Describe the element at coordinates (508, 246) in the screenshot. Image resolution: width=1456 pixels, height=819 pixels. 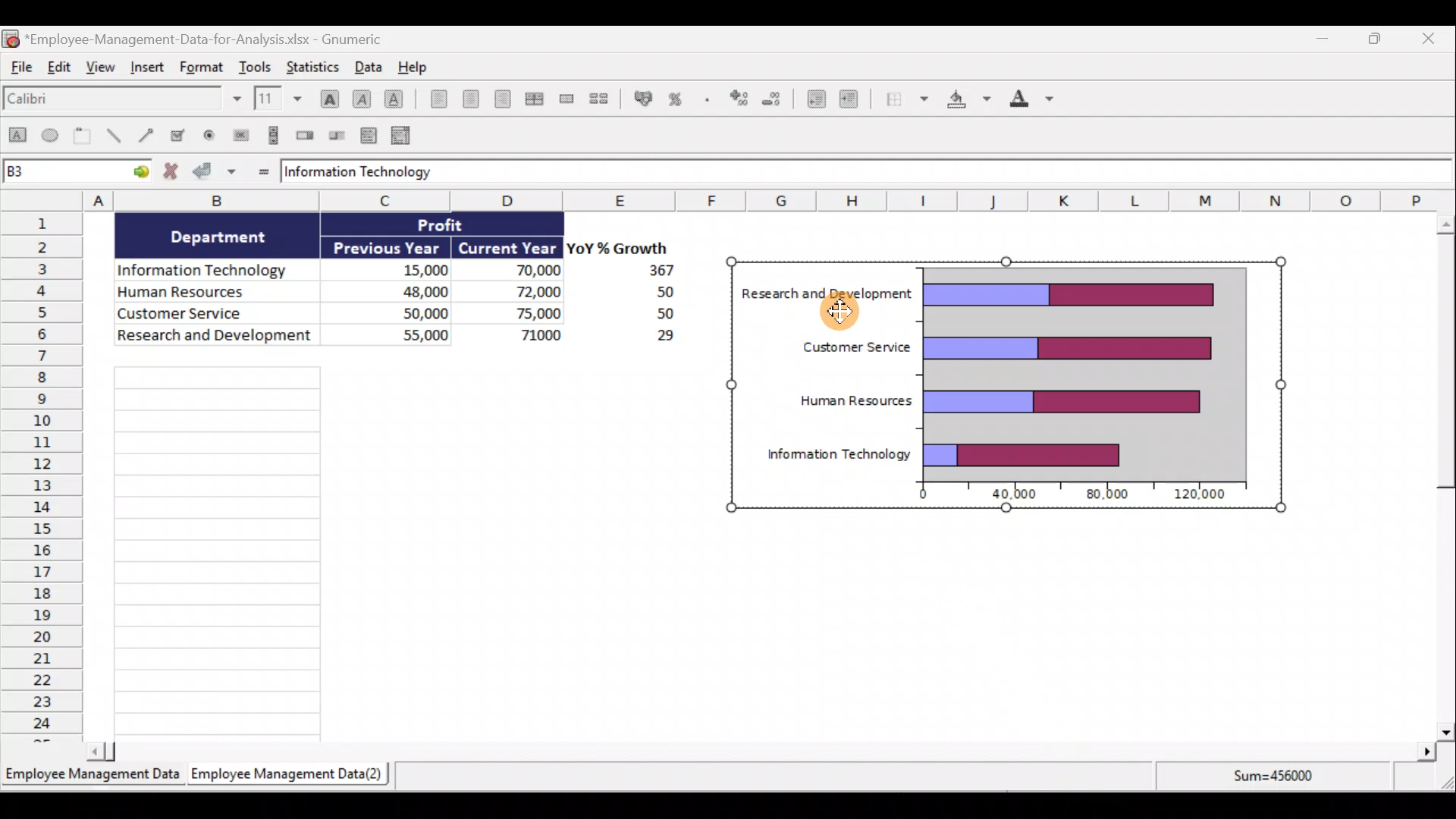
I see `Current Year` at that location.